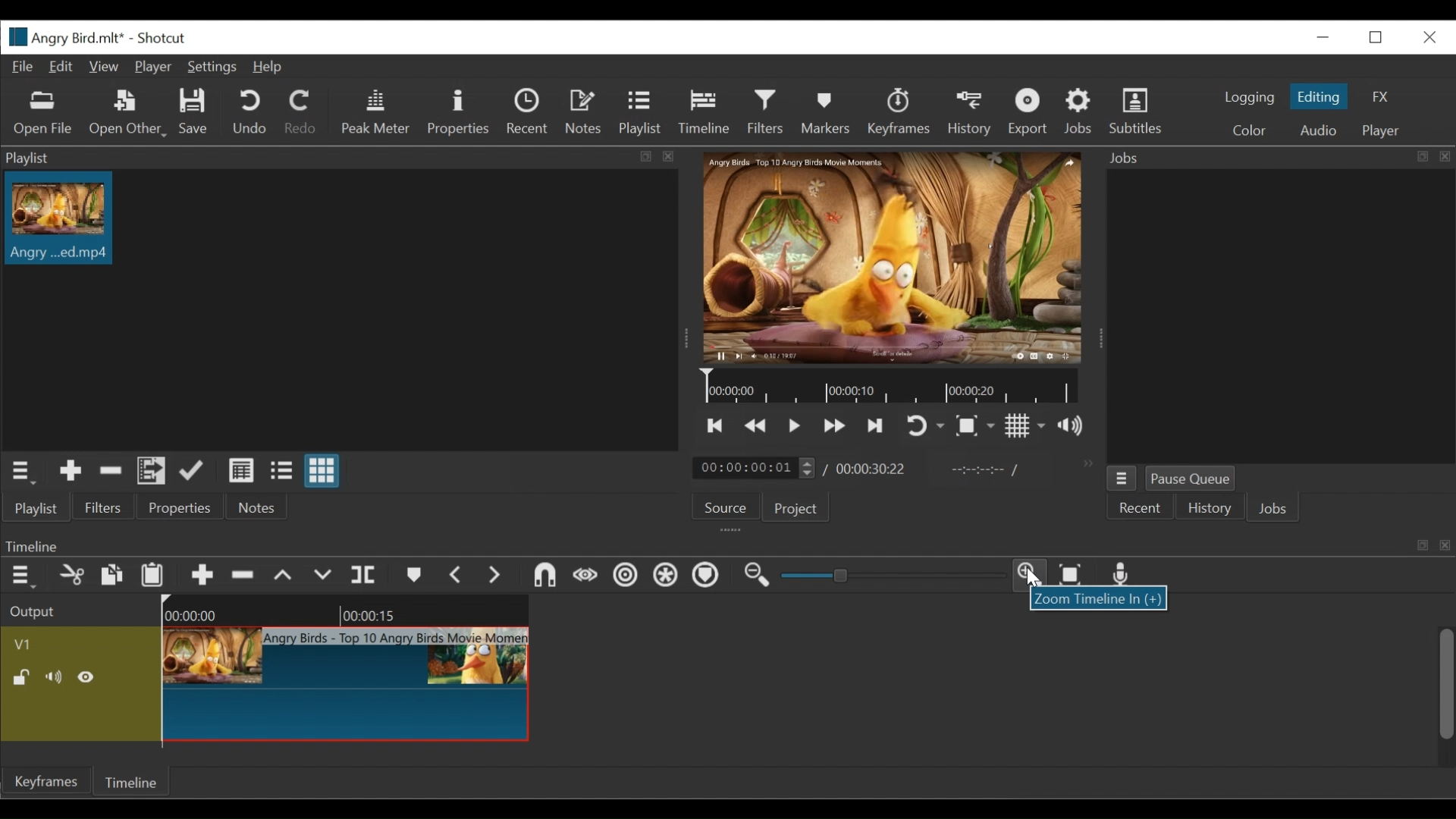 The width and height of the screenshot is (1456, 819). Describe the element at coordinates (243, 573) in the screenshot. I see `Remove cut` at that location.